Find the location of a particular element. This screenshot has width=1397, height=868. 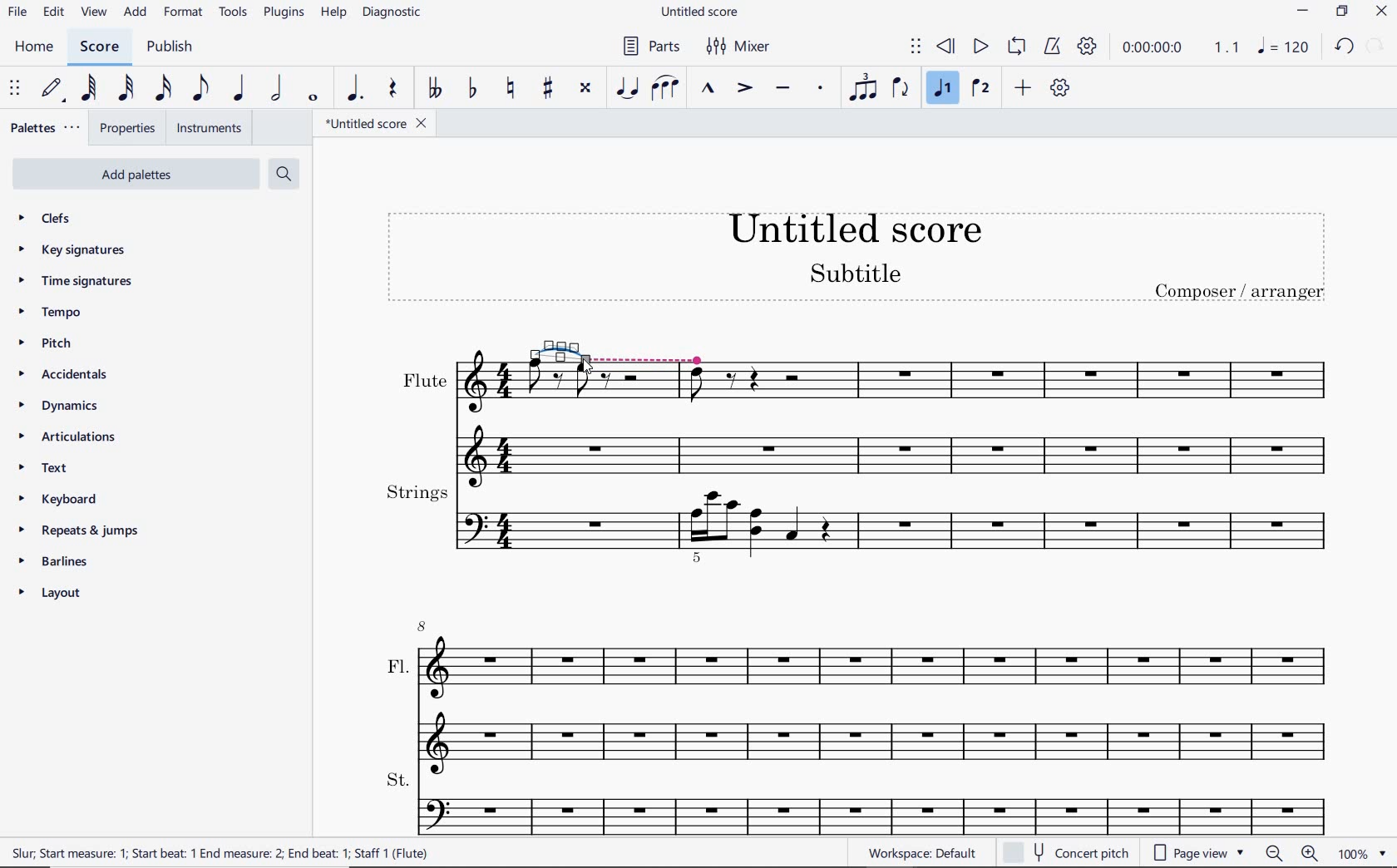

FILE NAME is located at coordinates (373, 122).